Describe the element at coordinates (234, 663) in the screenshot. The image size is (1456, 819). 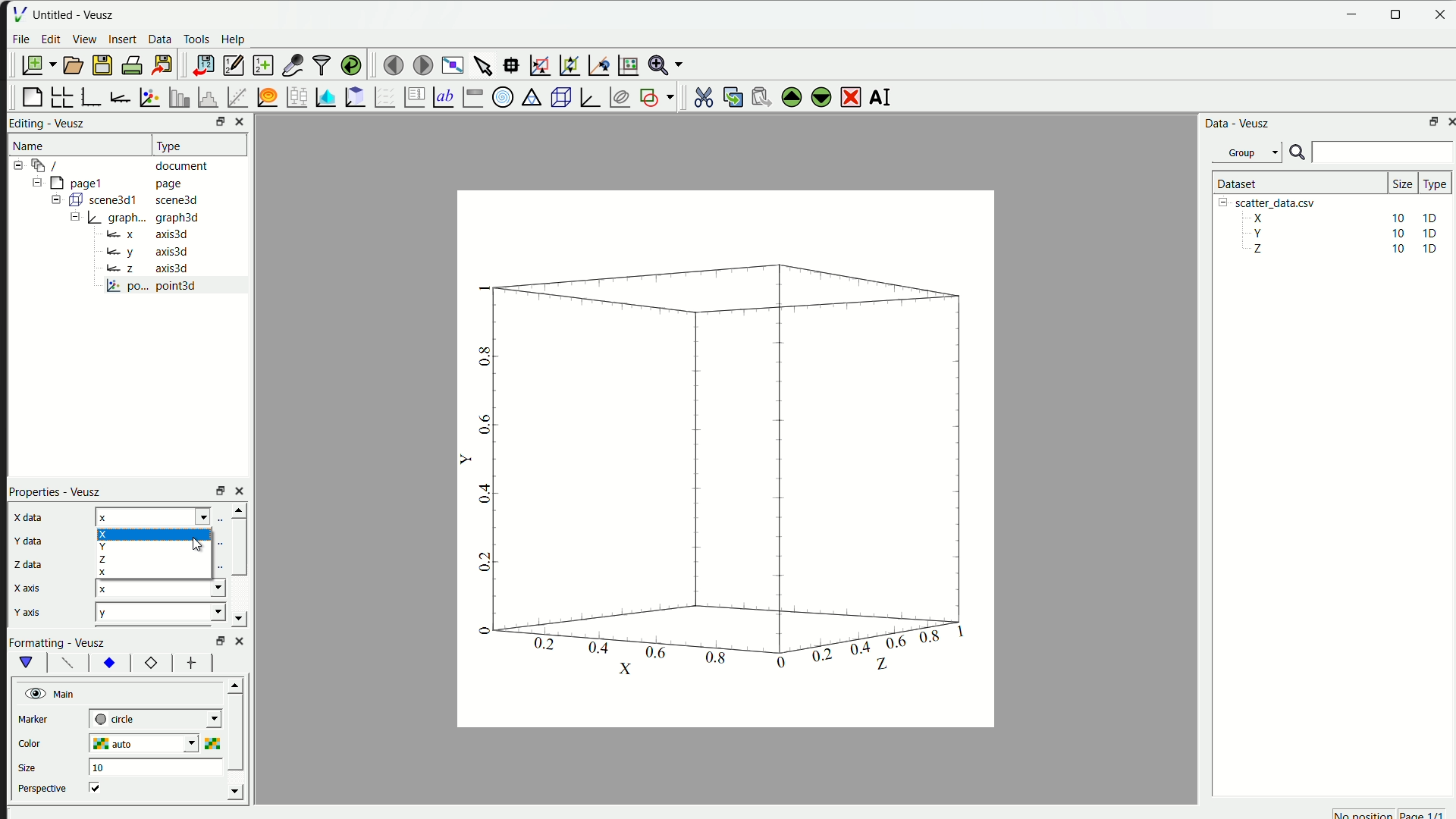
I see `left right button` at that location.